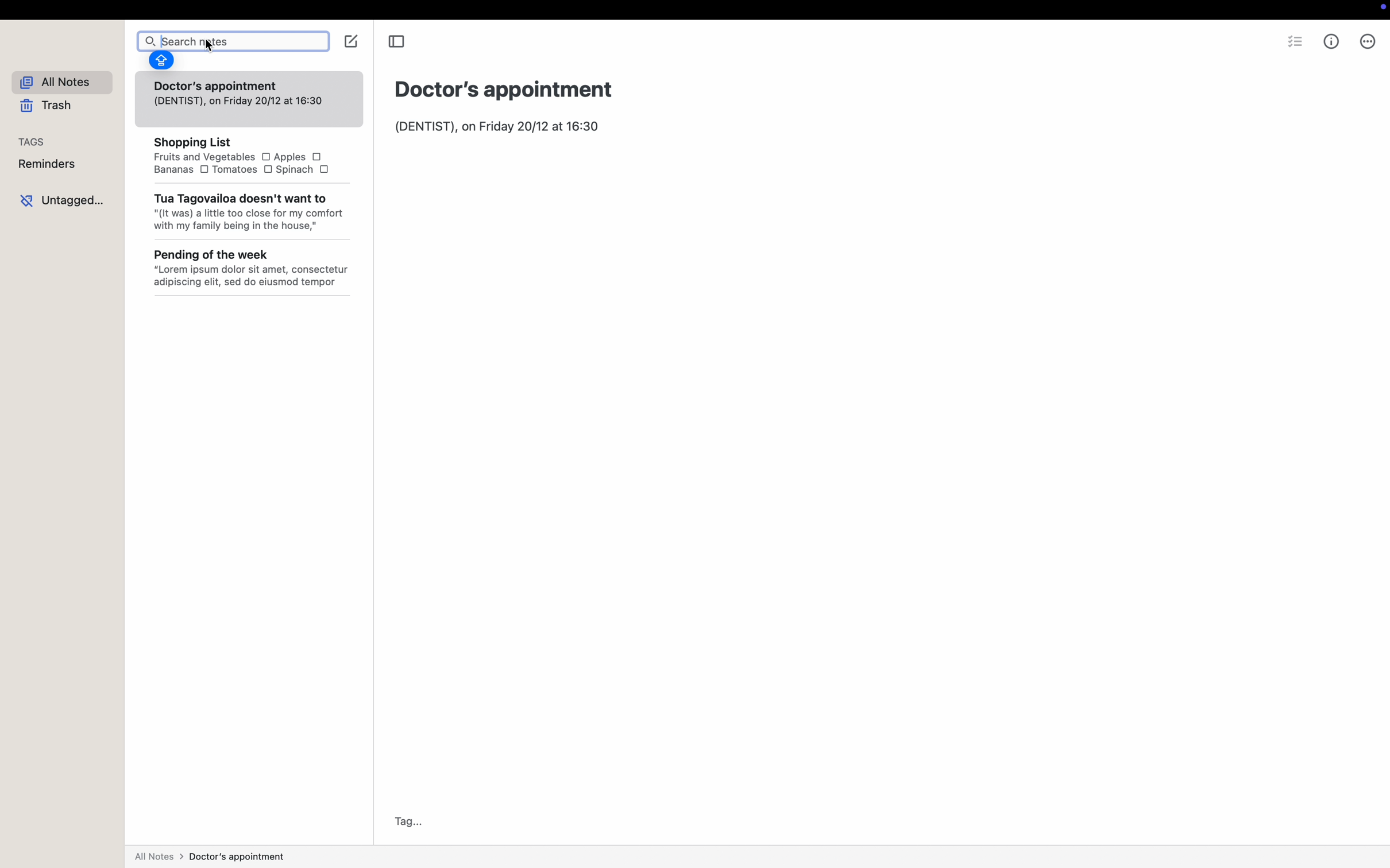 The height and width of the screenshot is (868, 1390). What do you see at coordinates (240, 156) in the screenshot?
I see `Shopping List Fruits and Vegetables O Apples OBananas O Tomatoes O Spinach O` at bounding box center [240, 156].